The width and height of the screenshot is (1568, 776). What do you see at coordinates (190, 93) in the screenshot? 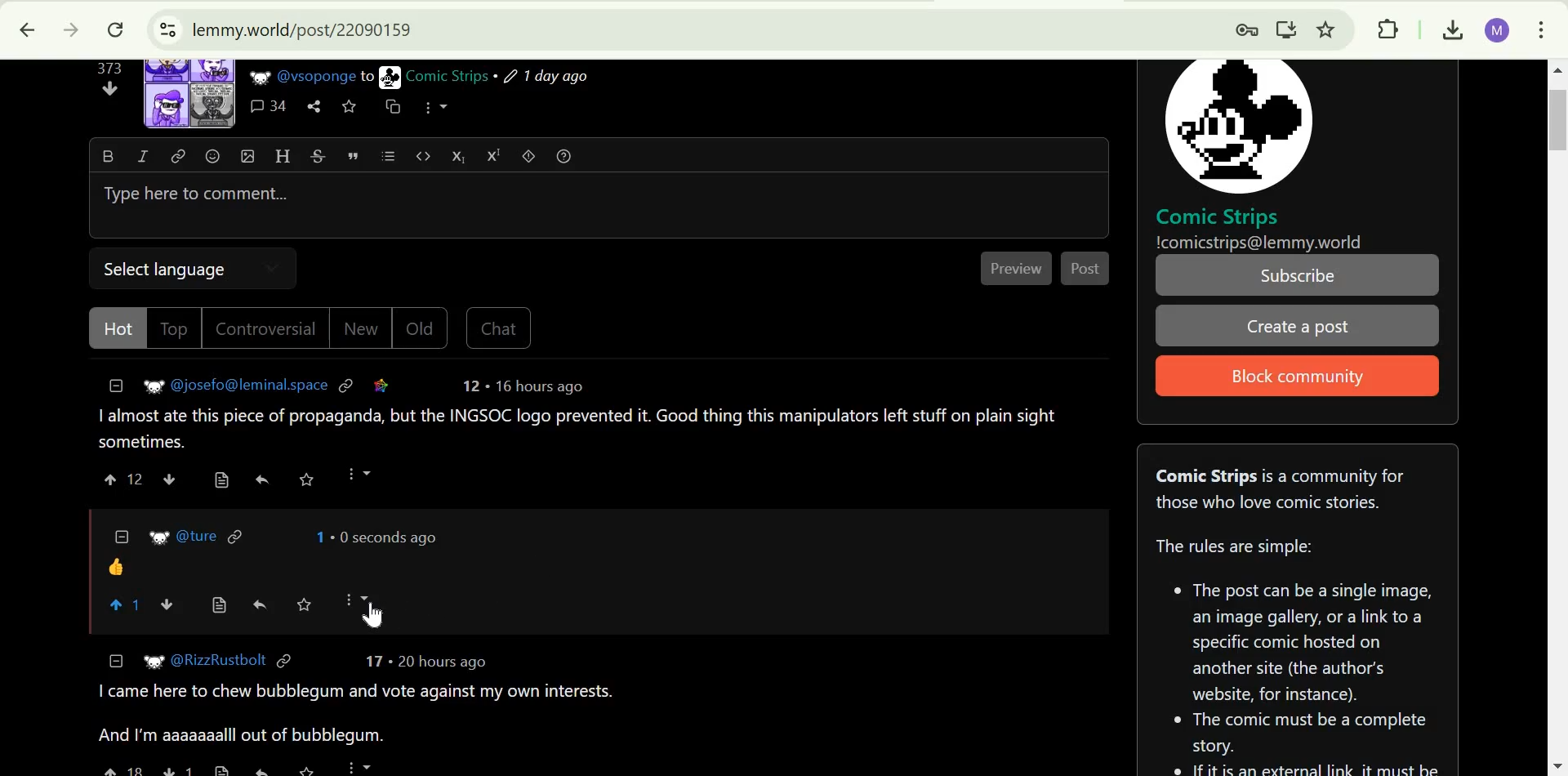
I see `expand here` at bounding box center [190, 93].